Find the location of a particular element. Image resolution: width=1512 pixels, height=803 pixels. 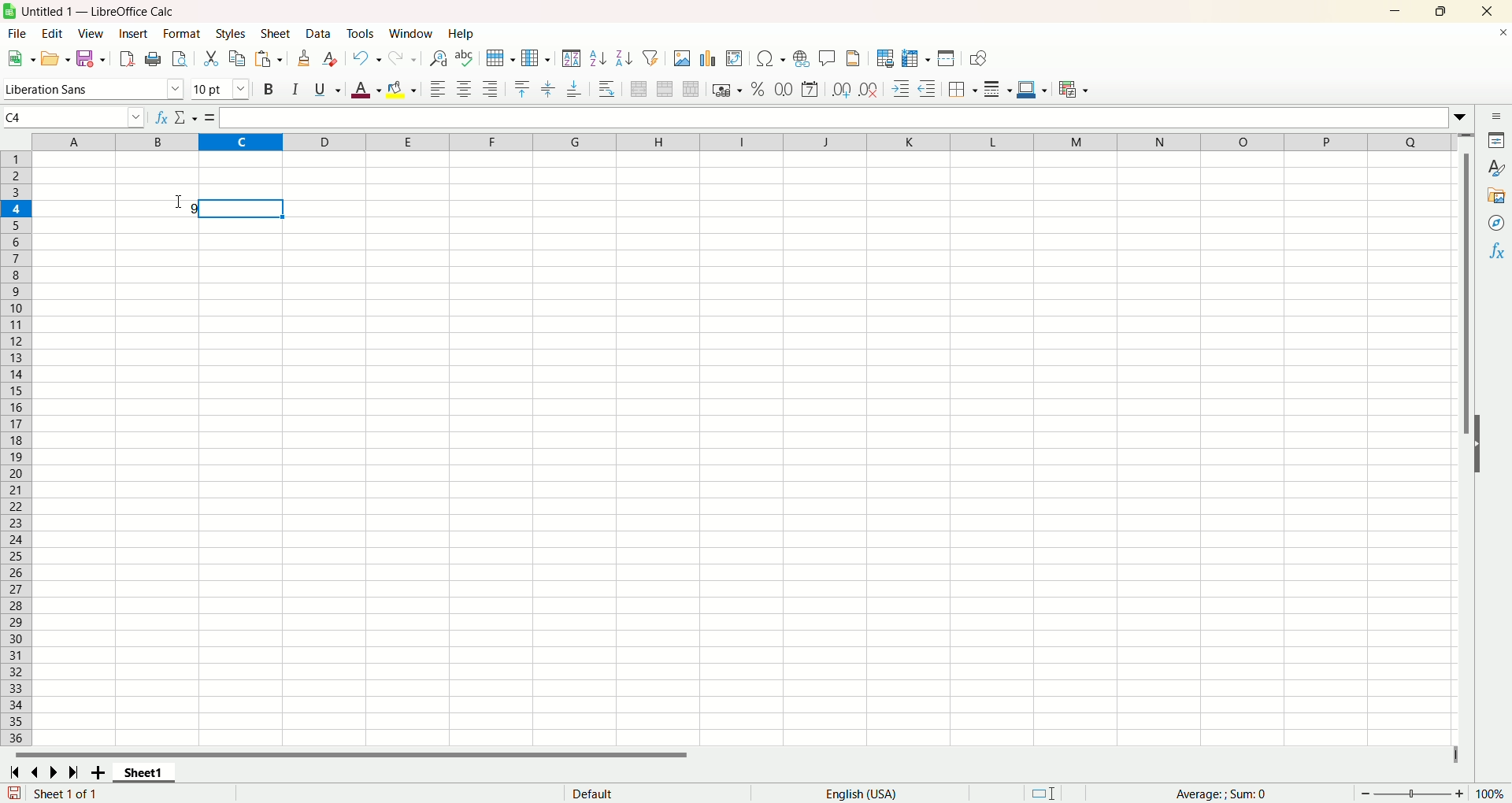

insert image is located at coordinates (735, 60).